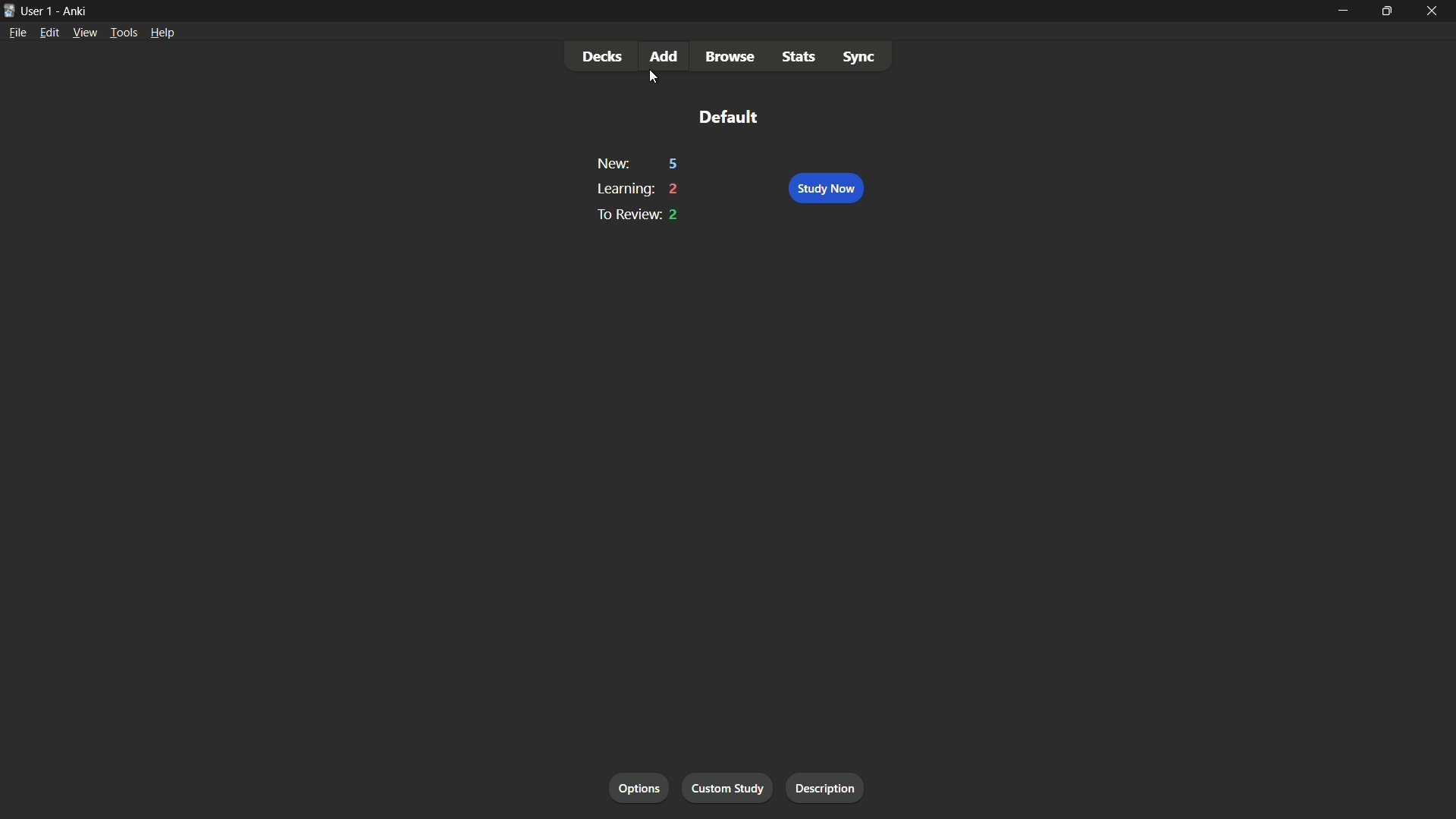  I want to click on default, so click(730, 115).